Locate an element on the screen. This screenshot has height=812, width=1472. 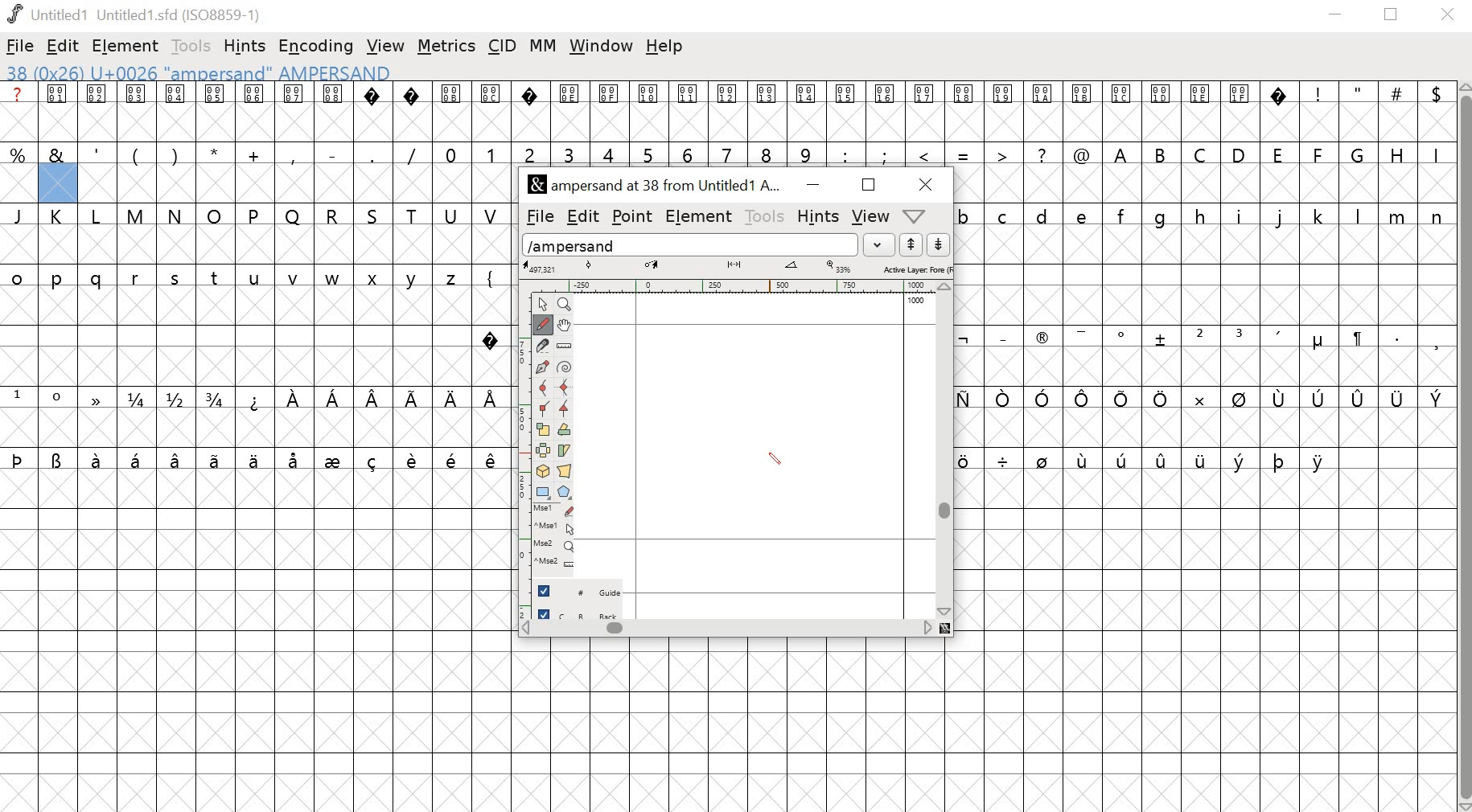
HINTS is located at coordinates (817, 218).